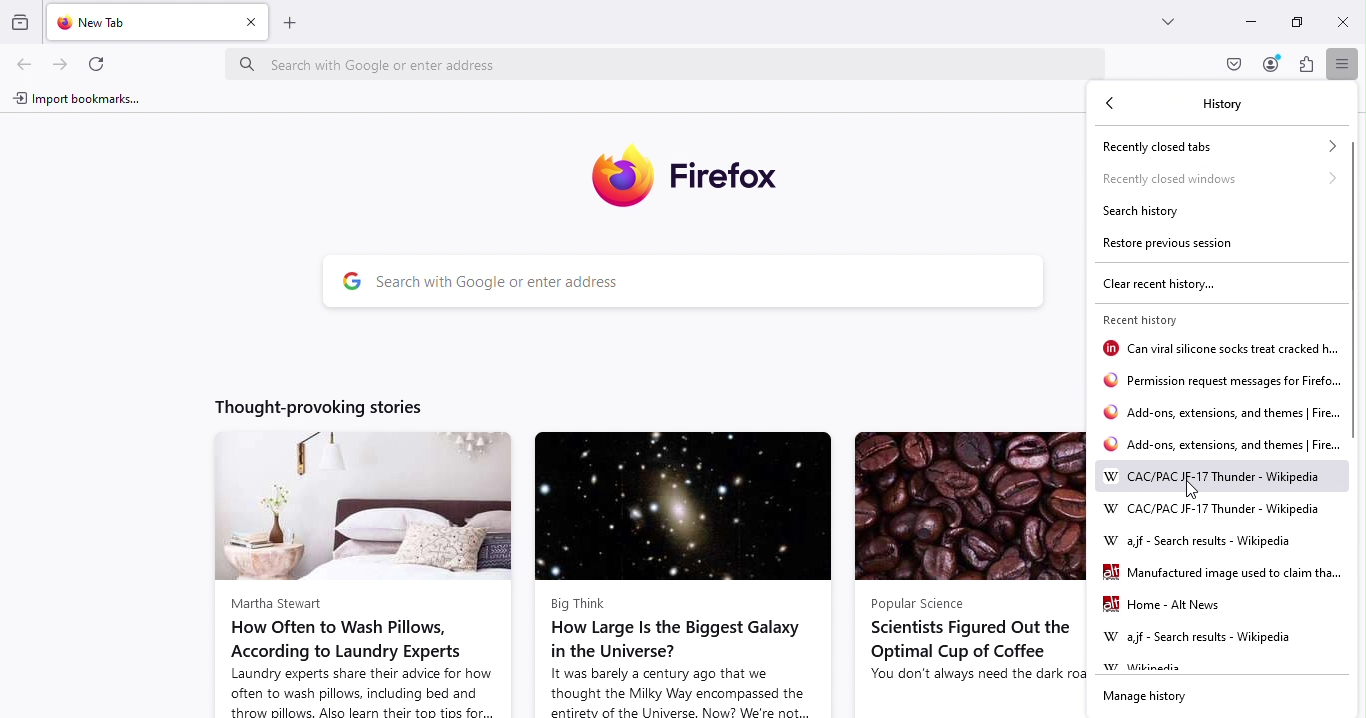  What do you see at coordinates (964, 574) in the screenshot?
I see `news article from popular science` at bounding box center [964, 574].